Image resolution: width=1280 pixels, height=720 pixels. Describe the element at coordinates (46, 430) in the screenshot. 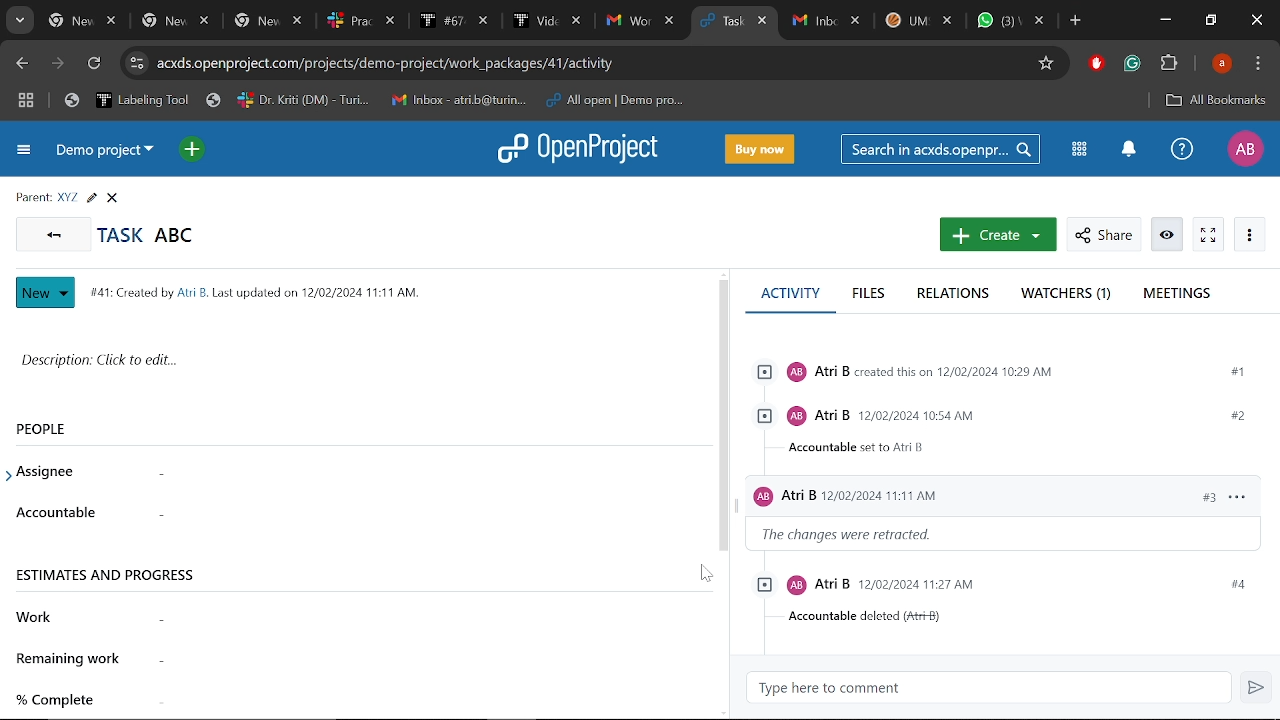

I see `` at that location.